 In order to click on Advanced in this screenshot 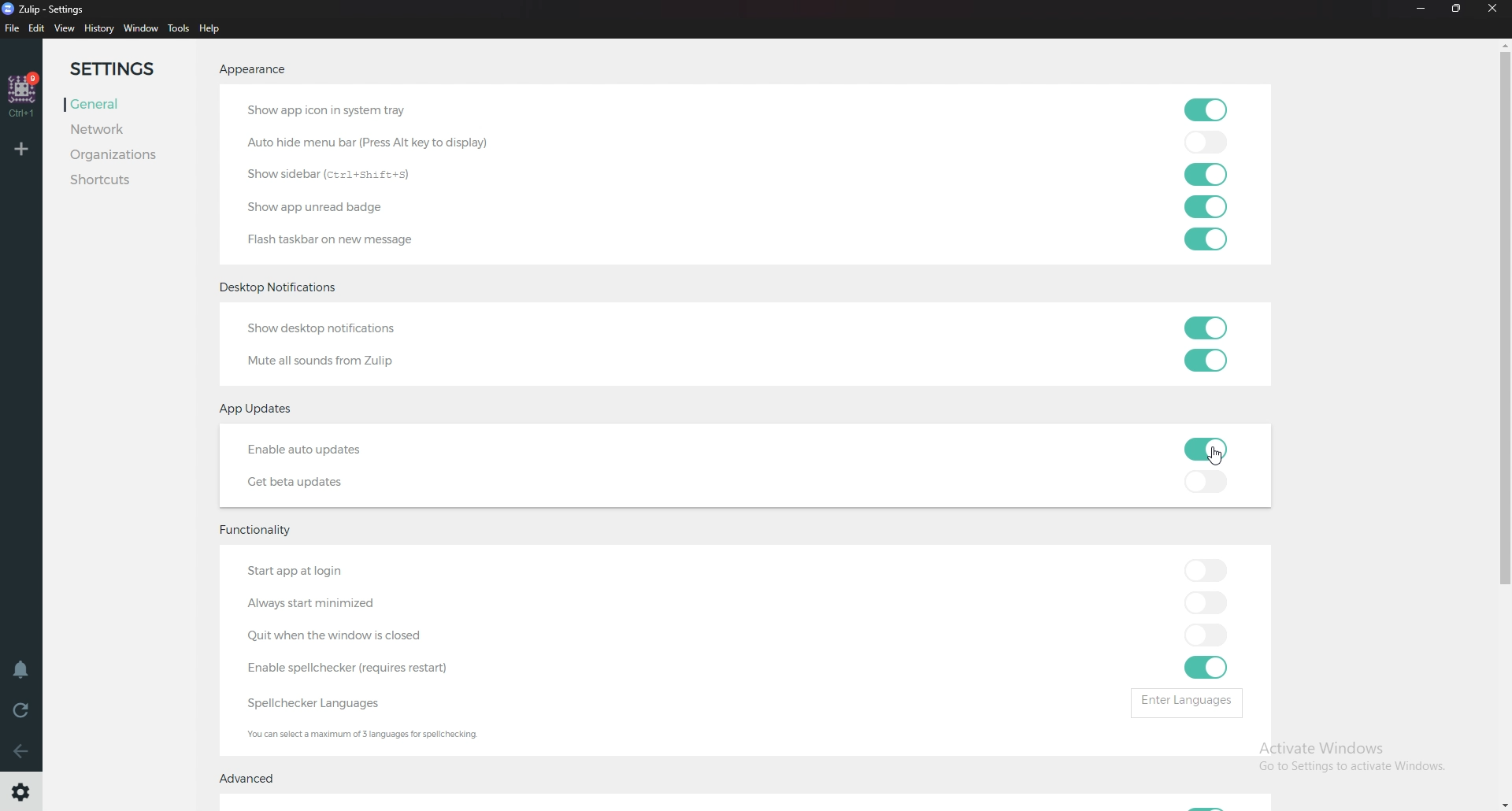, I will do `click(256, 782)`.